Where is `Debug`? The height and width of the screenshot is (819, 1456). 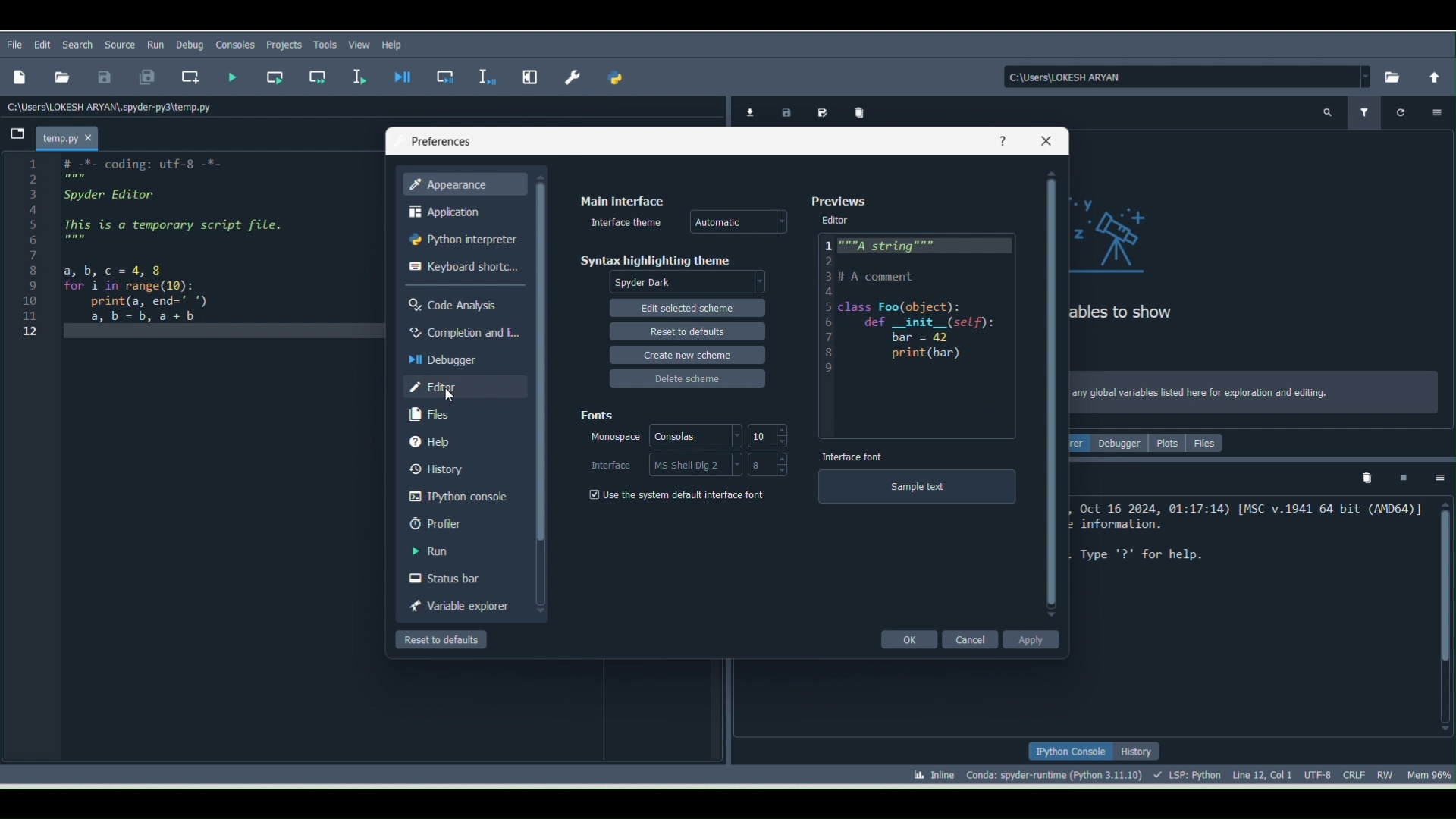 Debug is located at coordinates (190, 45).